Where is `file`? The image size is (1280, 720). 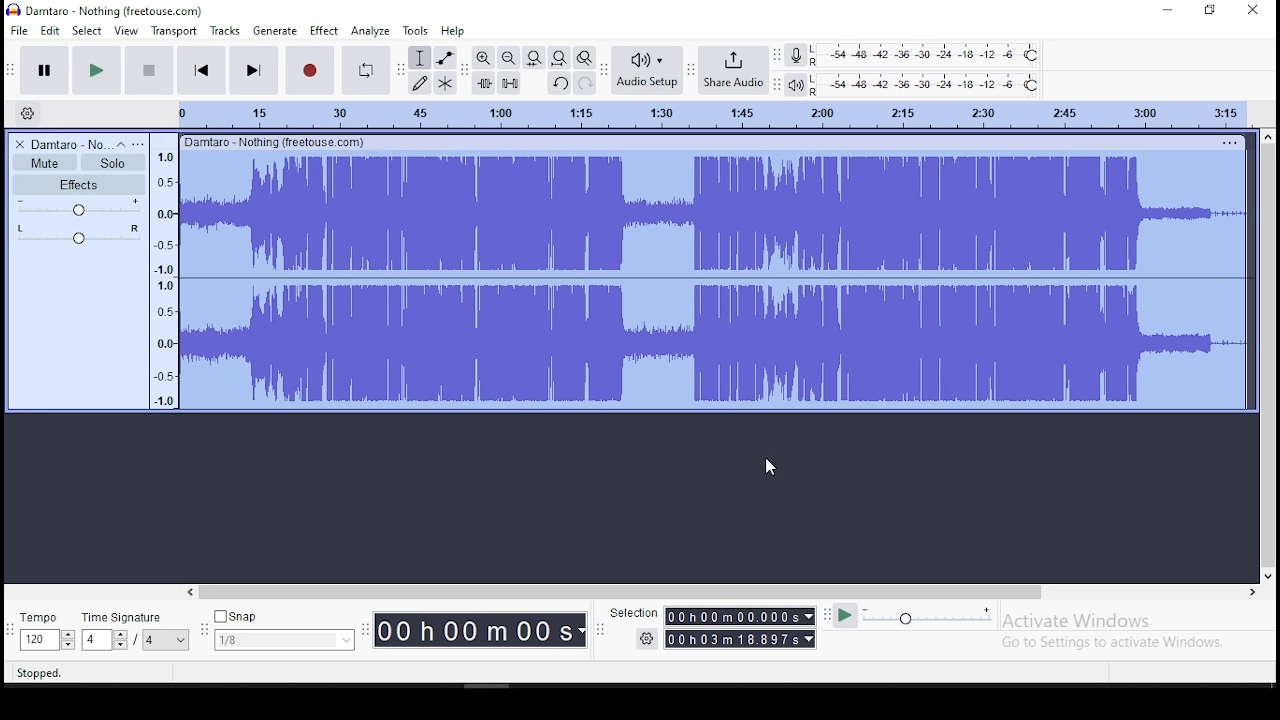
file is located at coordinates (18, 29).